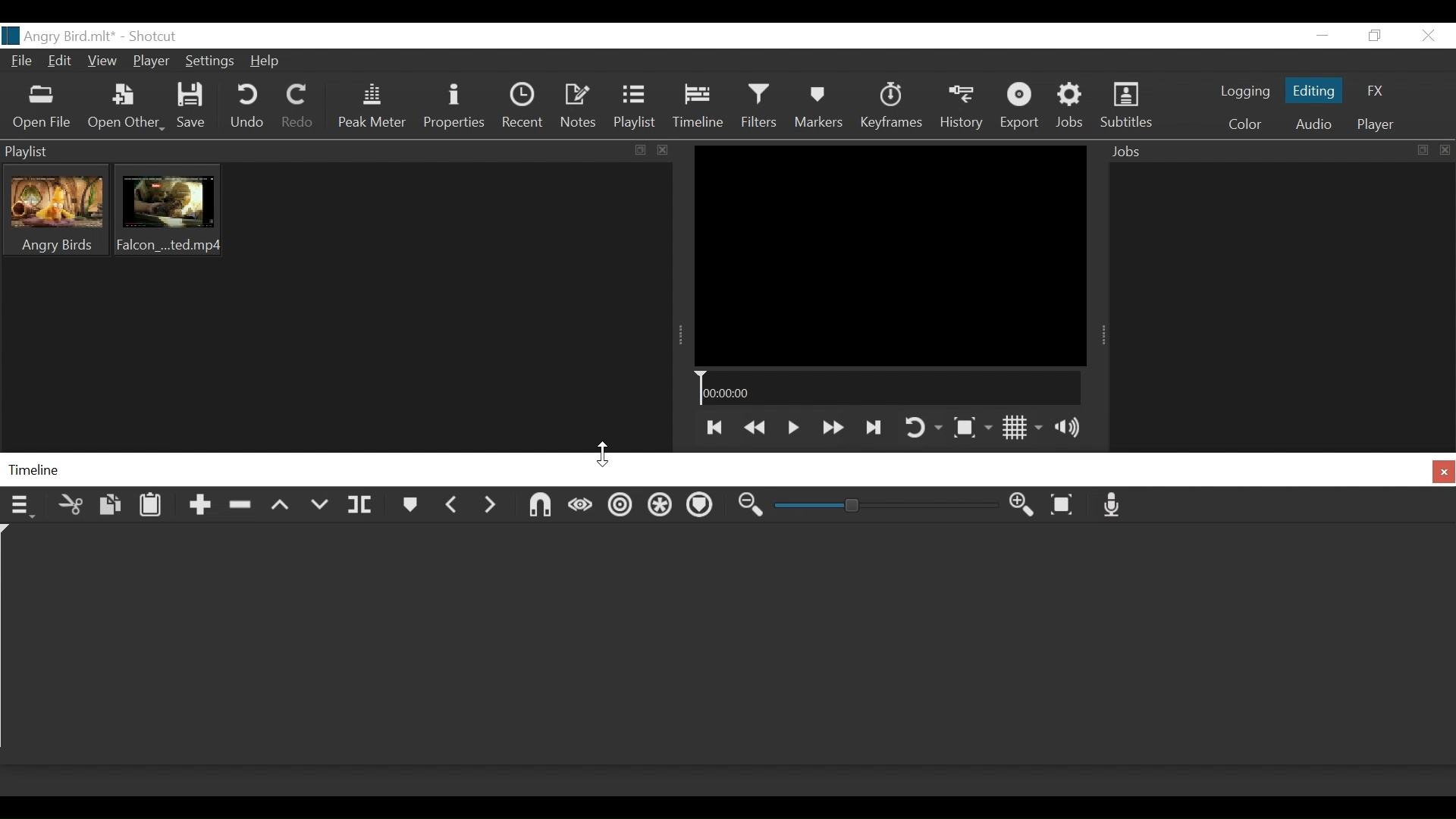  I want to click on Recent, so click(526, 108).